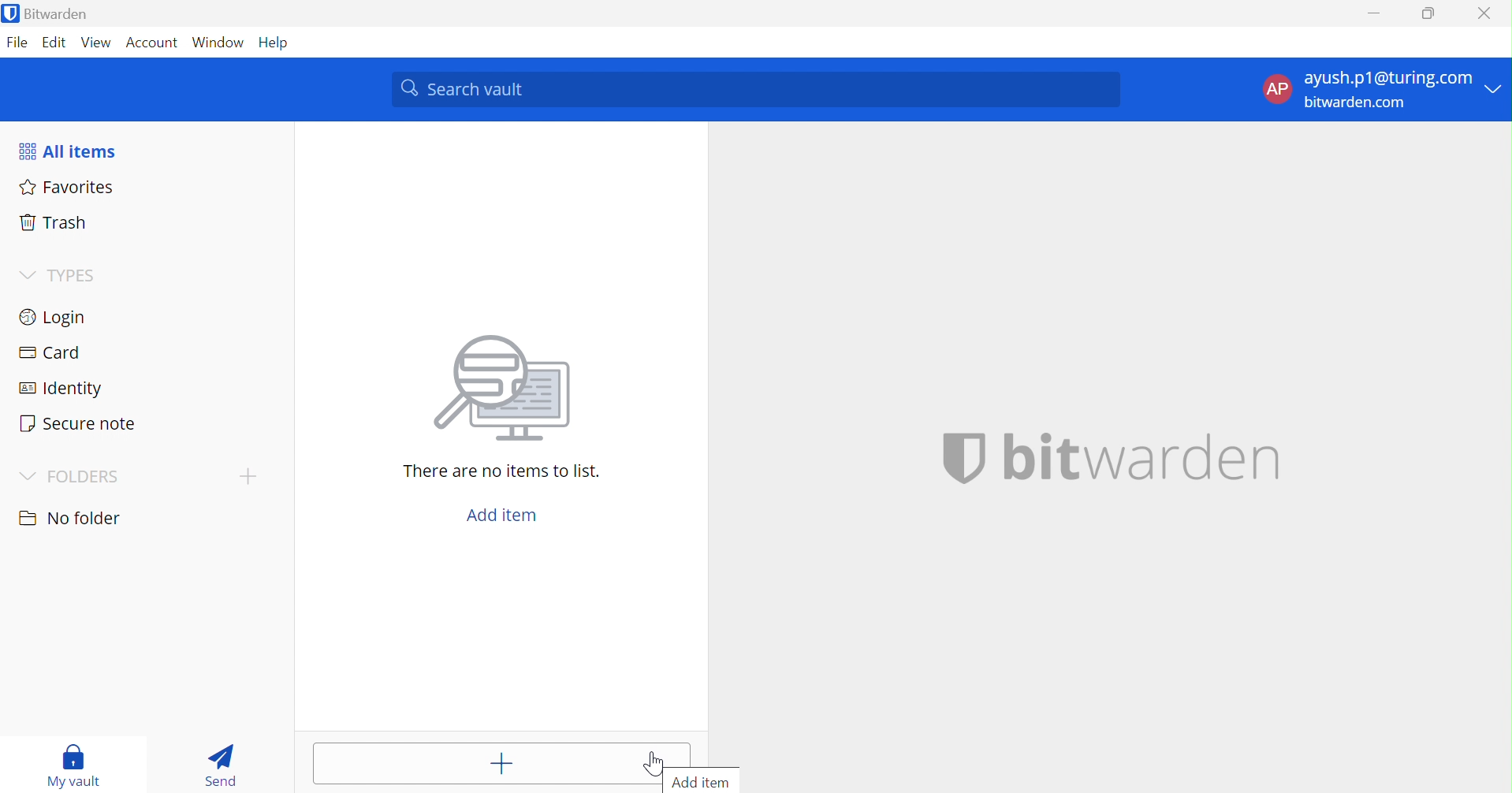  What do you see at coordinates (60, 275) in the screenshot?
I see `TYPES` at bounding box center [60, 275].